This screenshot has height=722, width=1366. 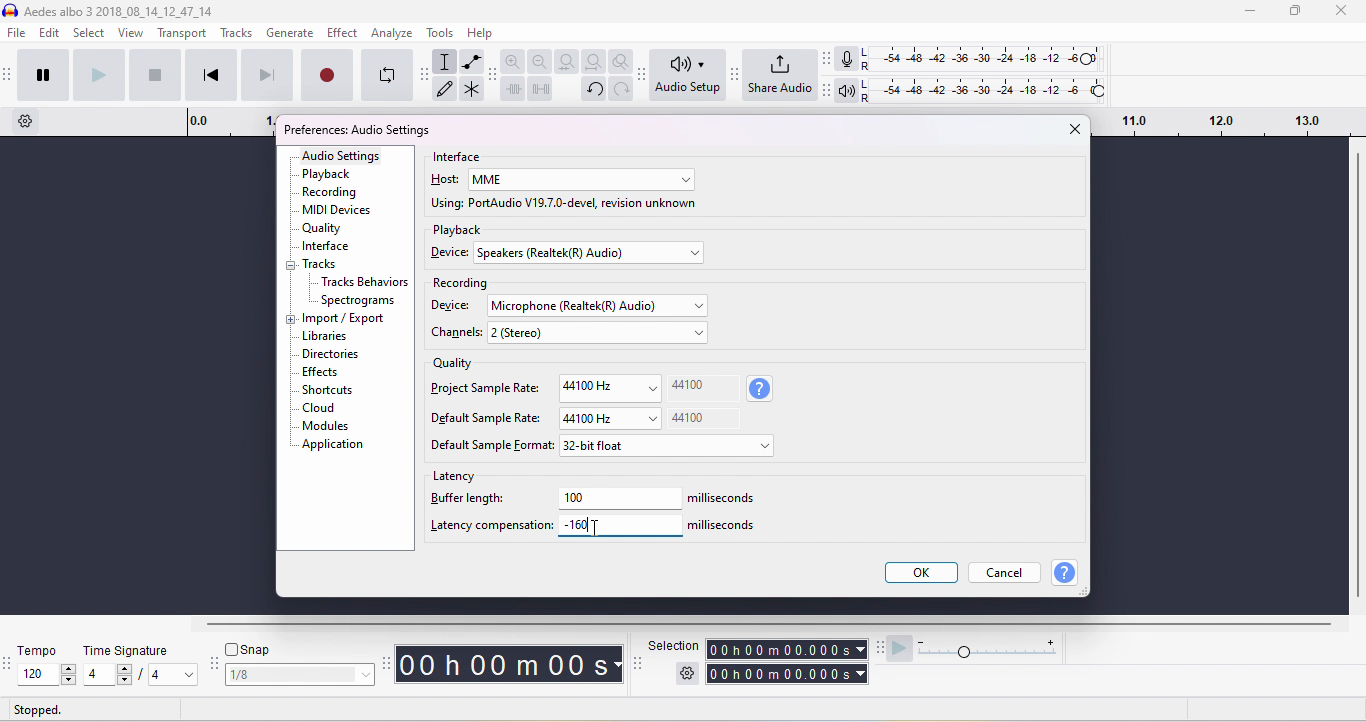 What do you see at coordinates (389, 662) in the screenshot?
I see `audacity time tool bar` at bounding box center [389, 662].